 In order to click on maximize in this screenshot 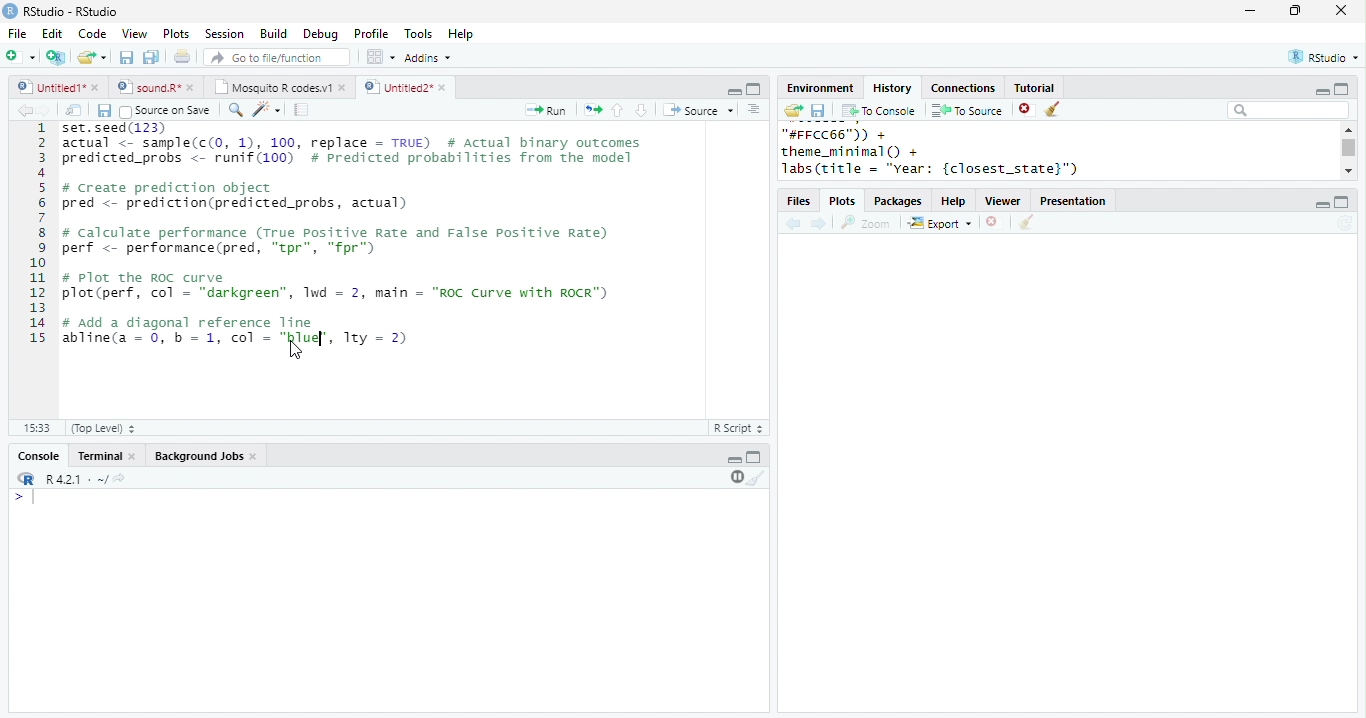, I will do `click(1342, 202)`.